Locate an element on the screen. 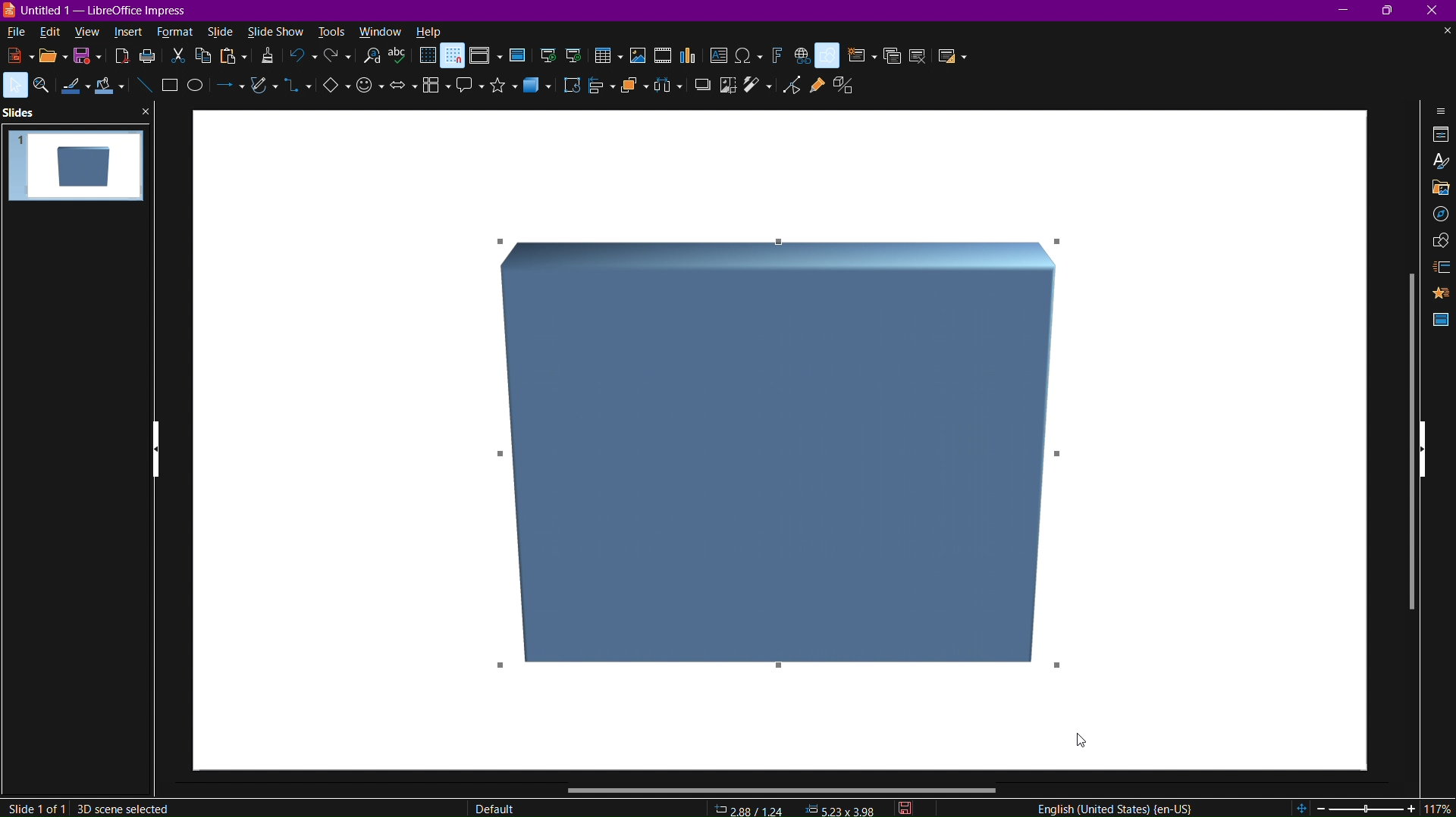 The width and height of the screenshot is (1456, 817). cut is located at coordinates (180, 58).